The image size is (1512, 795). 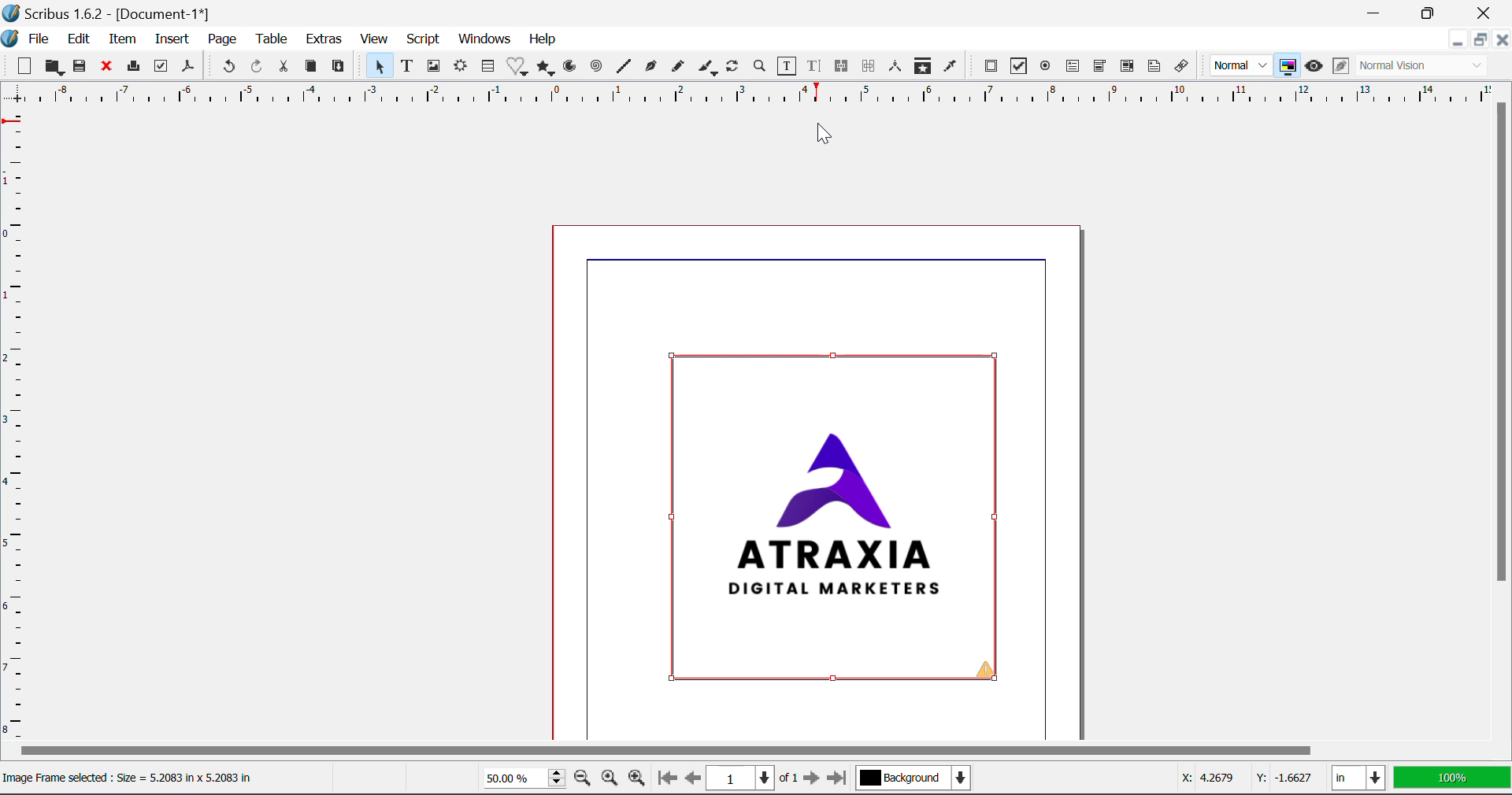 I want to click on Arc, so click(x=573, y=68).